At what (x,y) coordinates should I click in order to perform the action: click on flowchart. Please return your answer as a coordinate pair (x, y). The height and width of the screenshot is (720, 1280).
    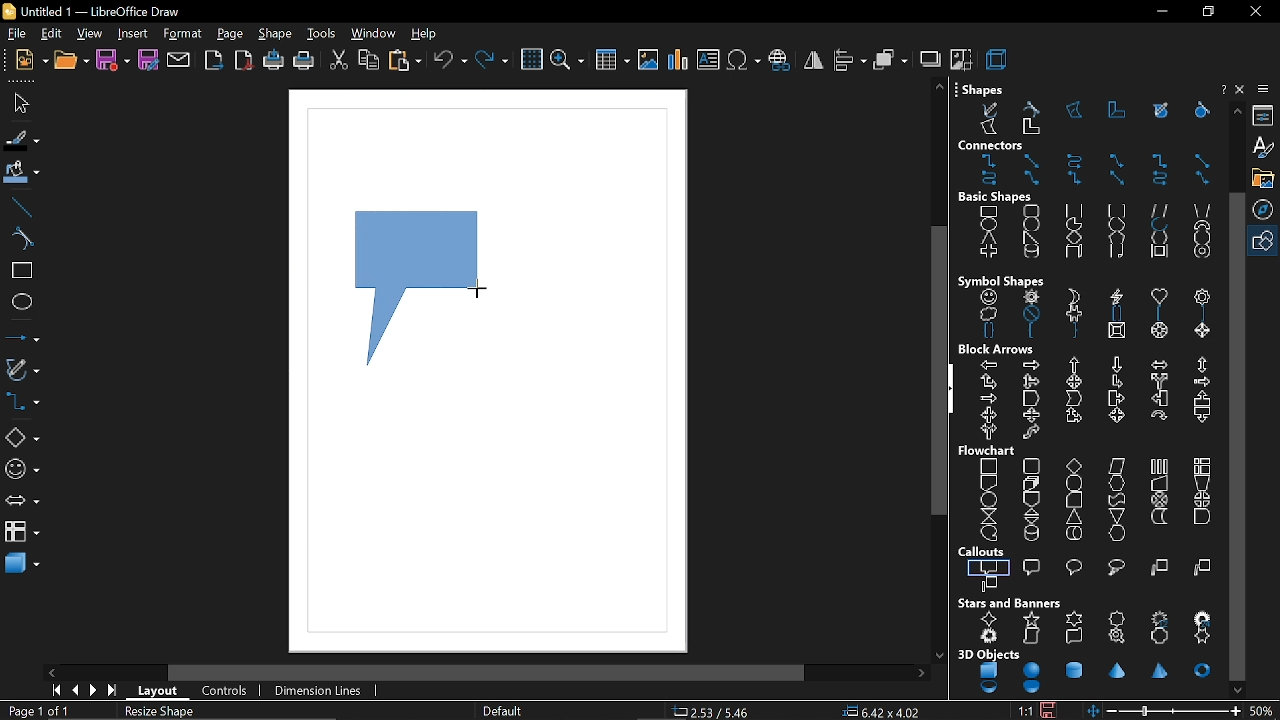
    Looking at the image, I should click on (989, 451).